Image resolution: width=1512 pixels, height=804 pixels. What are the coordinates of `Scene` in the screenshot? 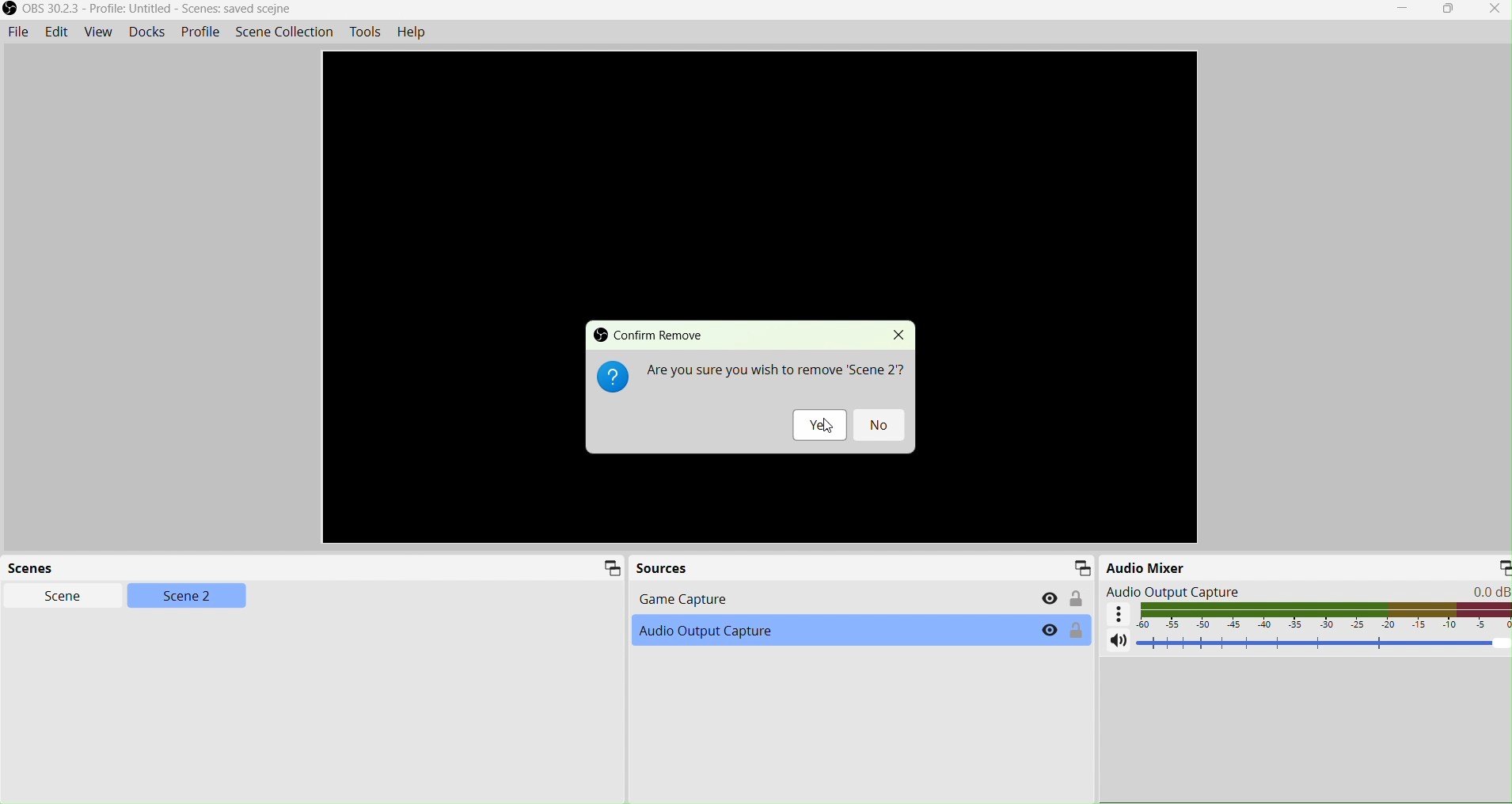 It's located at (53, 597).